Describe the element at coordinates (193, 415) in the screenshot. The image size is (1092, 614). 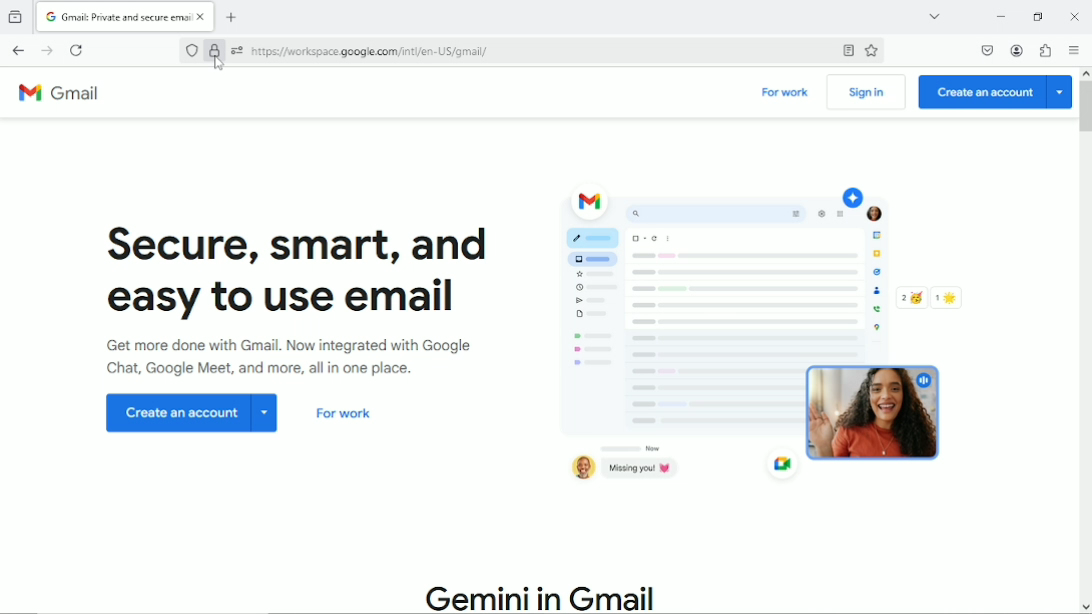
I see `Create an account` at that location.